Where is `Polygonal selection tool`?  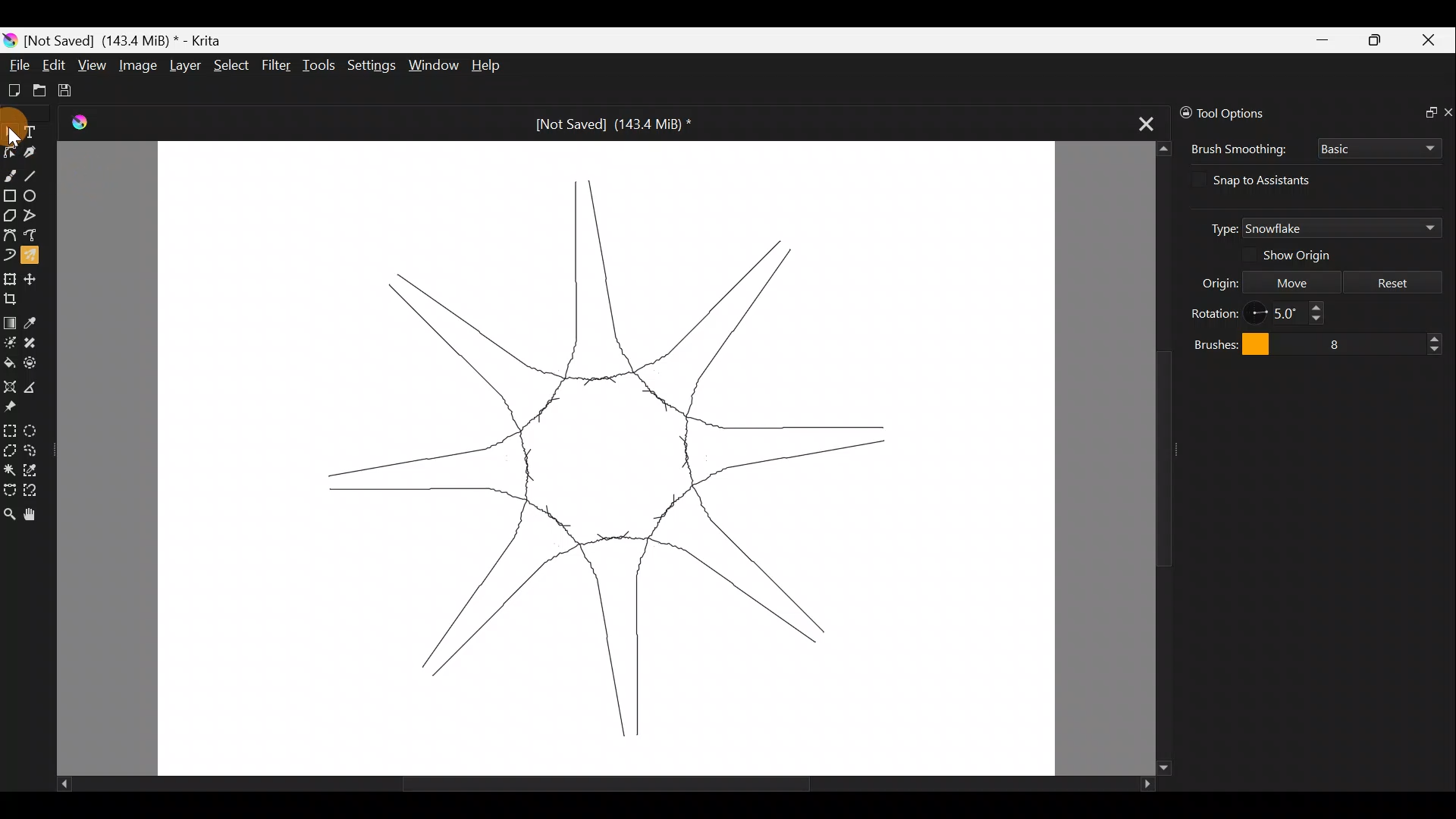
Polygonal selection tool is located at coordinates (10, 450).